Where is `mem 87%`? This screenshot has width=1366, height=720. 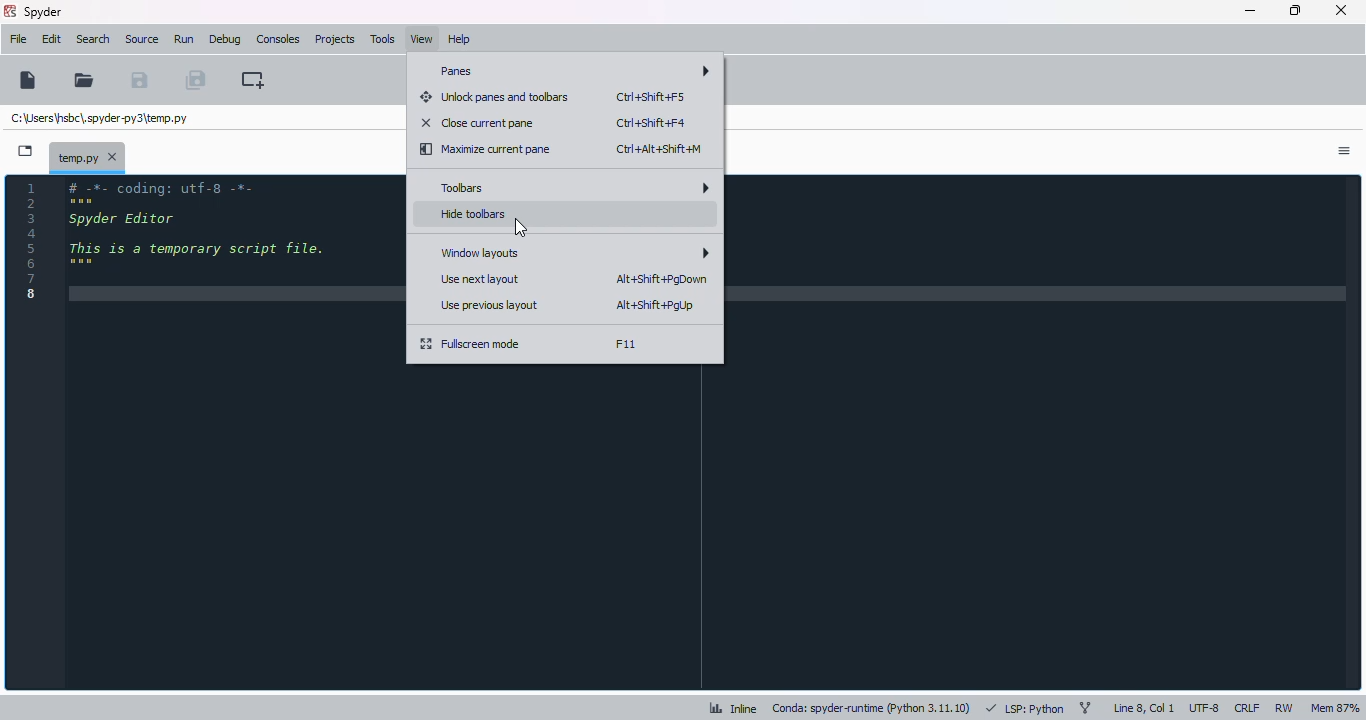 mem 87% is located at coordinates (1334, 707).